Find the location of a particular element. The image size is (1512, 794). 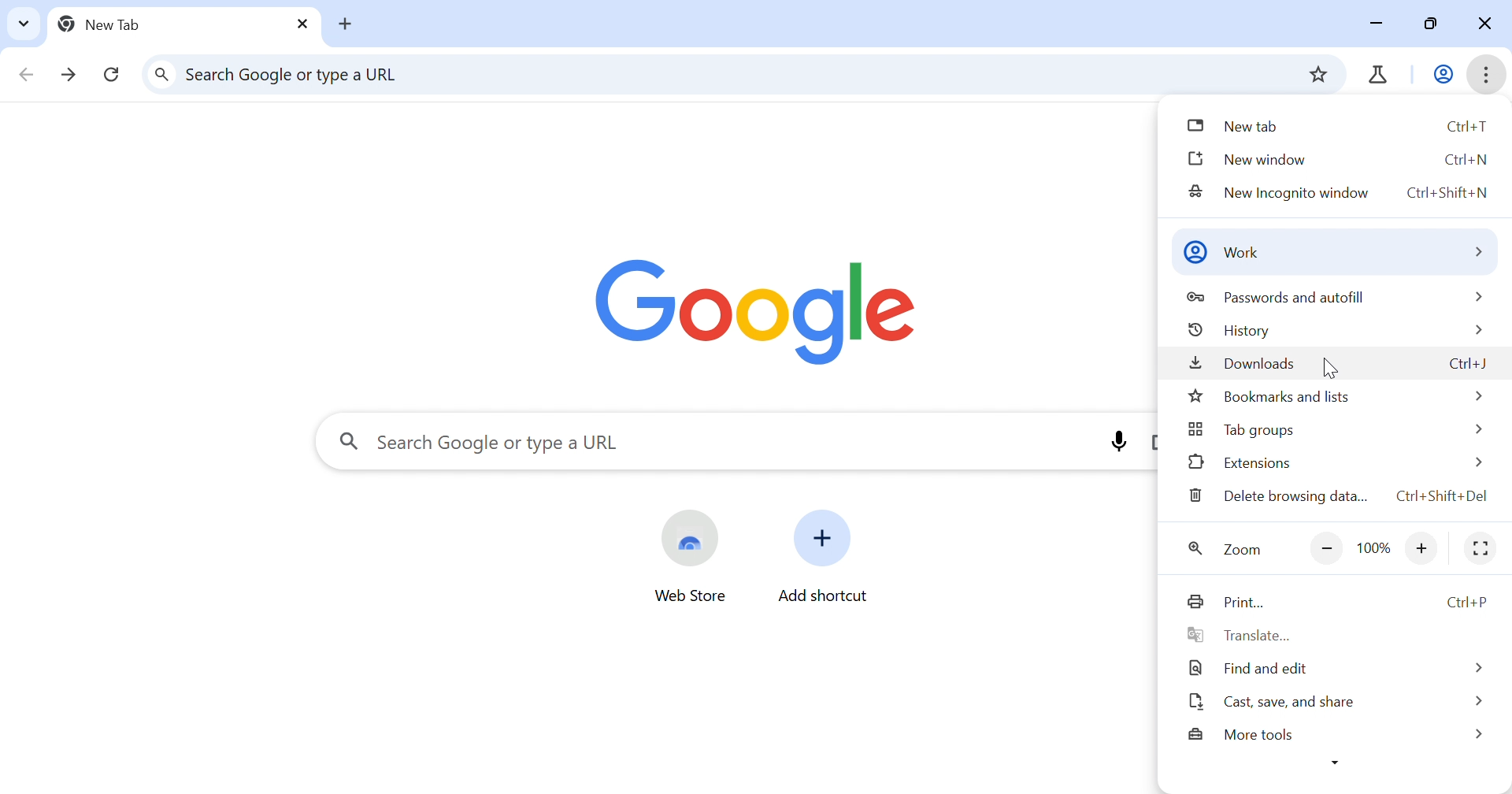

Drop down is located at coordinates (24, 23).